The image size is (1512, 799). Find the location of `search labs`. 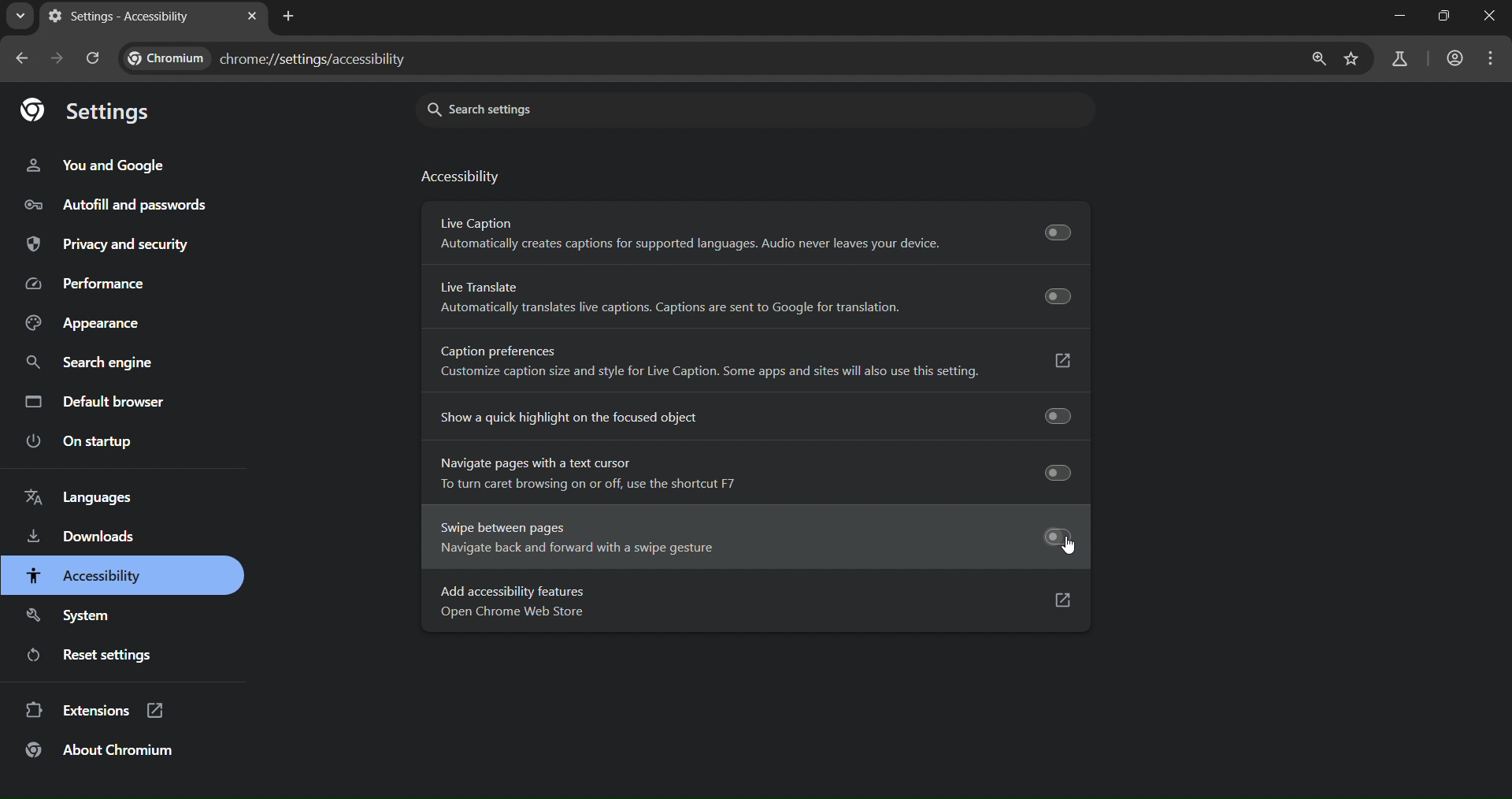

search labs is located at coordinates (1397, 59).